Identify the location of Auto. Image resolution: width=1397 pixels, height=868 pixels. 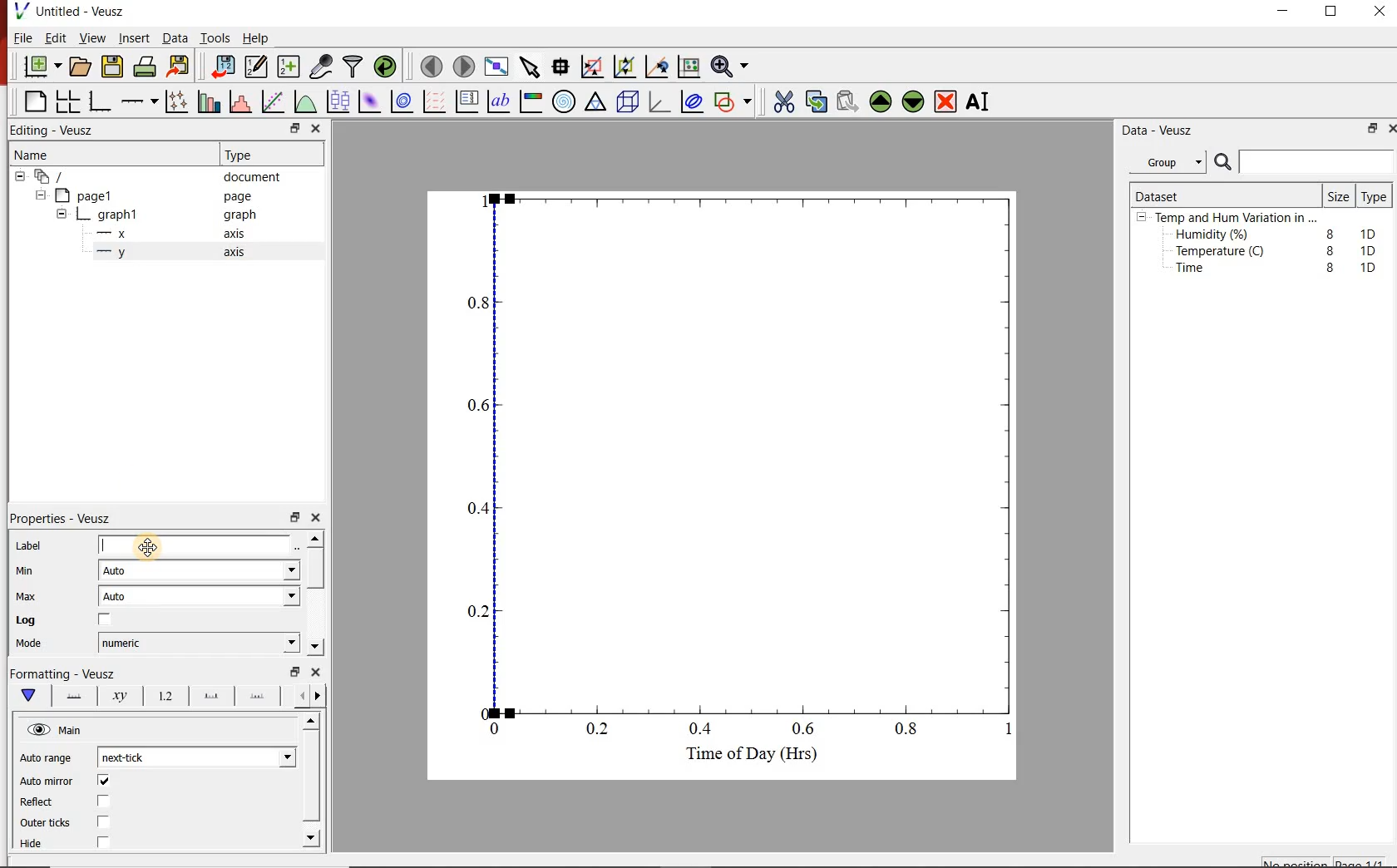
(124, 599).